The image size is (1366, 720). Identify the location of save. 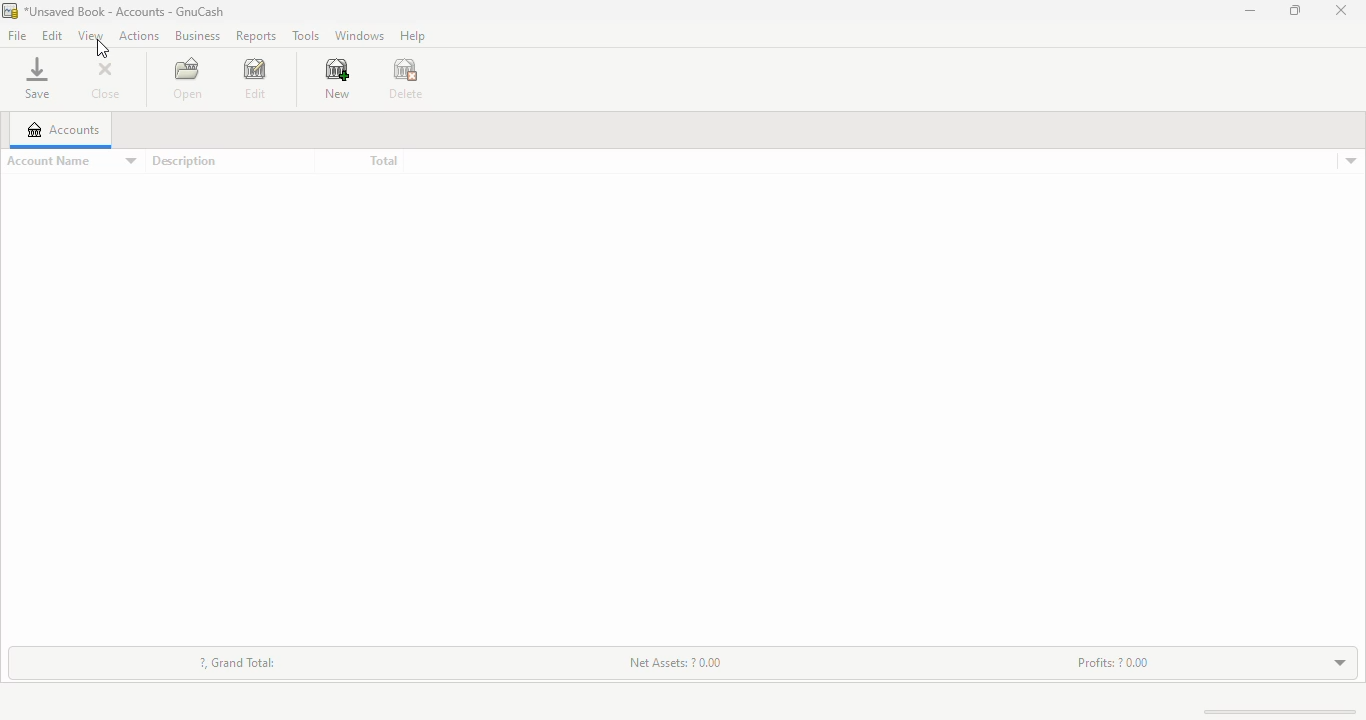
(37, 78).